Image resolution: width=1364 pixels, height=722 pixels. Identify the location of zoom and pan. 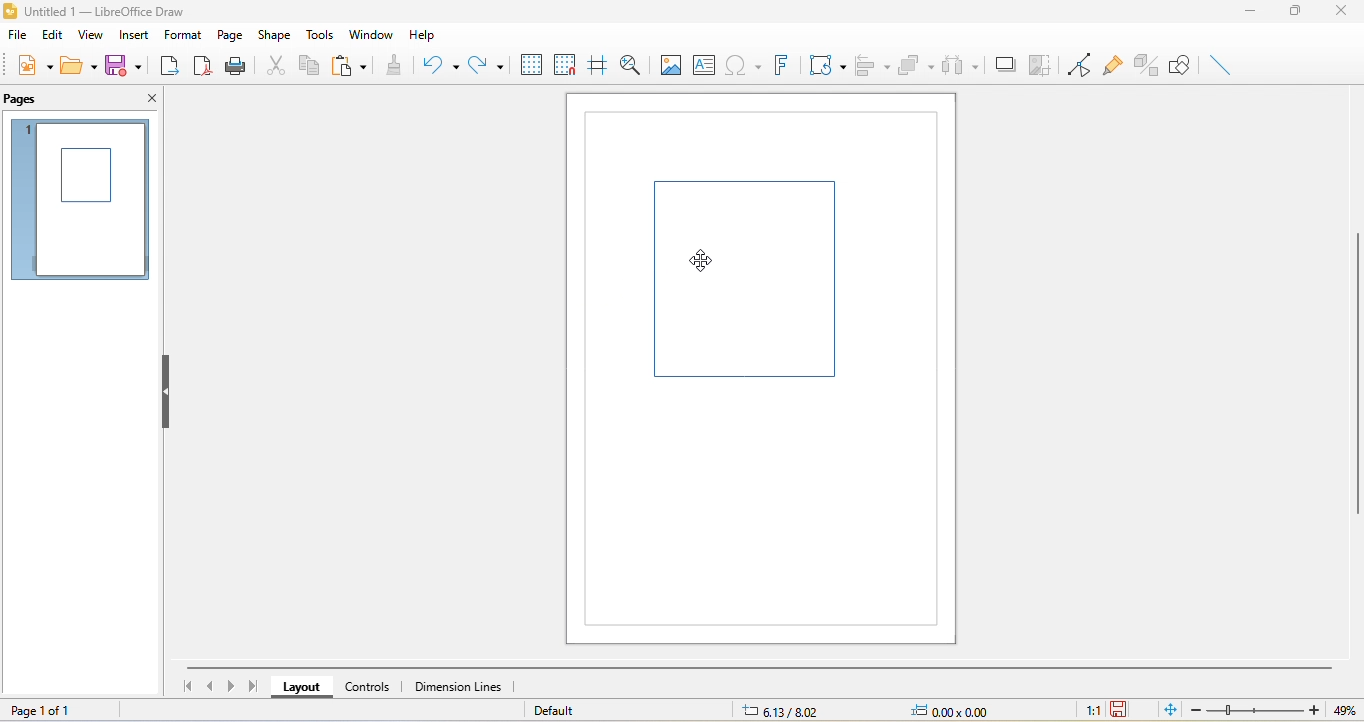
(635, 65).